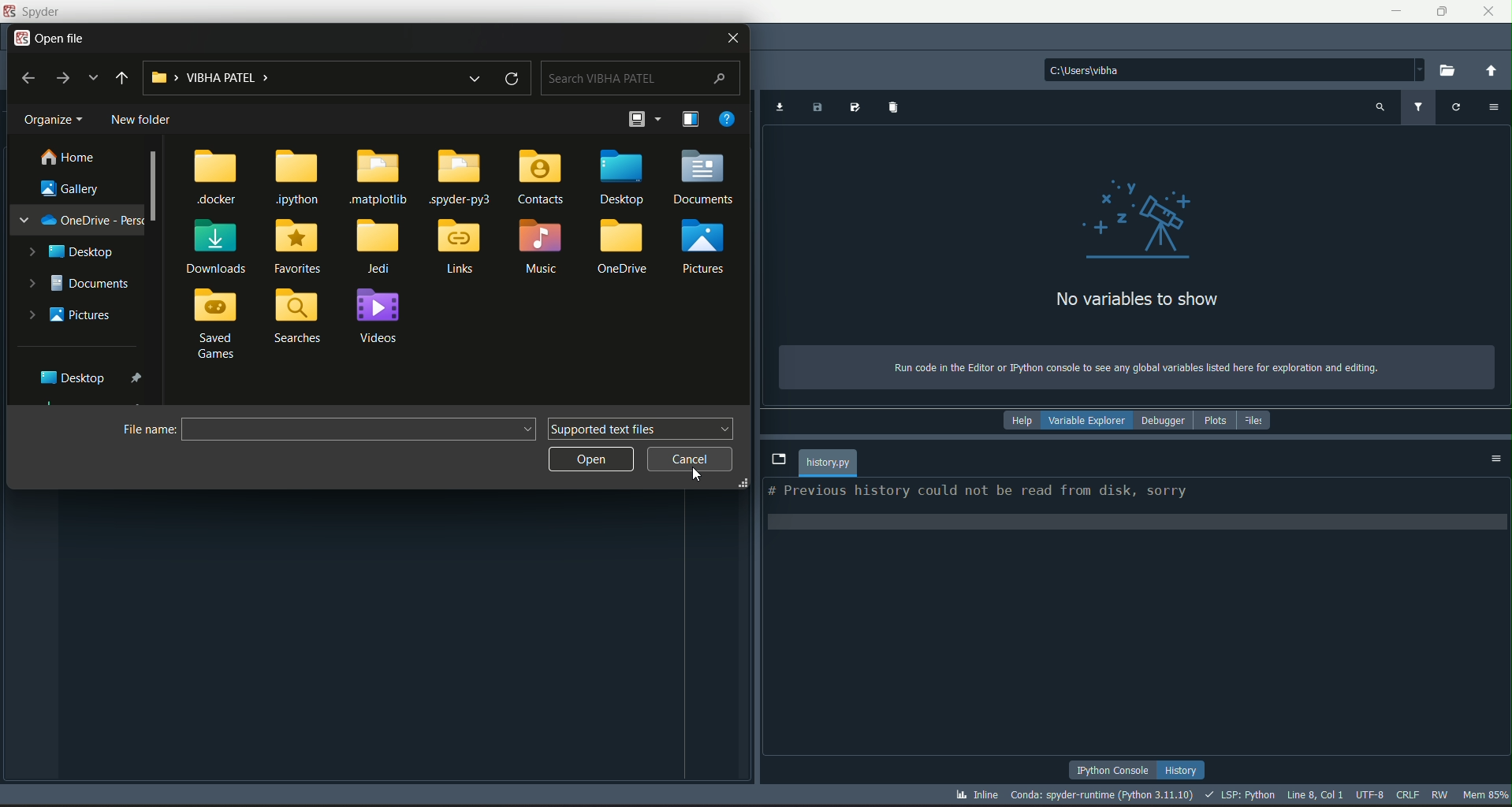 This screenshot has width=1512, height=807. I want to click on search bar, so click(641, 78).